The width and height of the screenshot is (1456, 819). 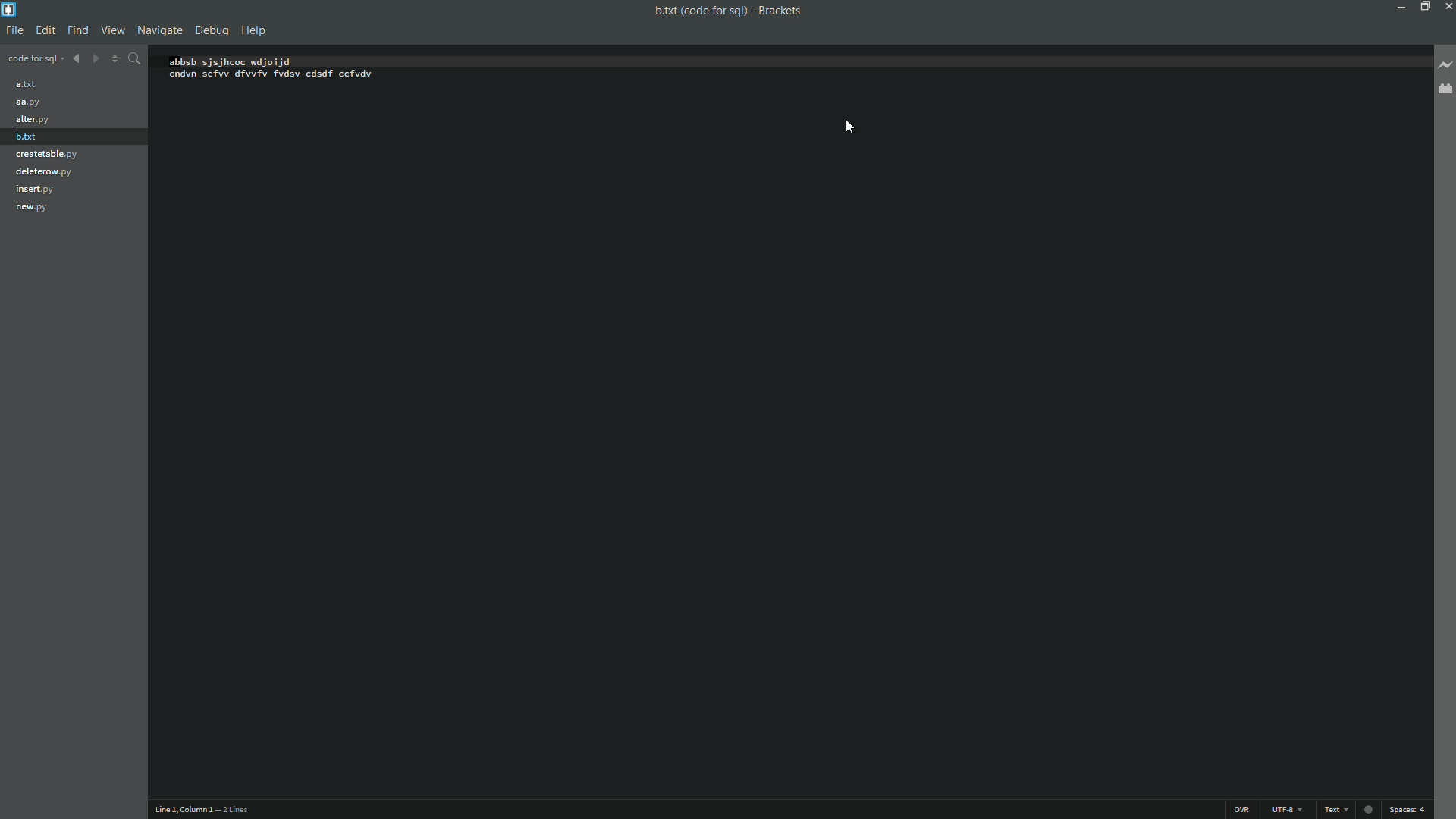 What do you see at coordinates (158, 30) in the screenshot?
I see `navigate` at bounding box center [158, 30].